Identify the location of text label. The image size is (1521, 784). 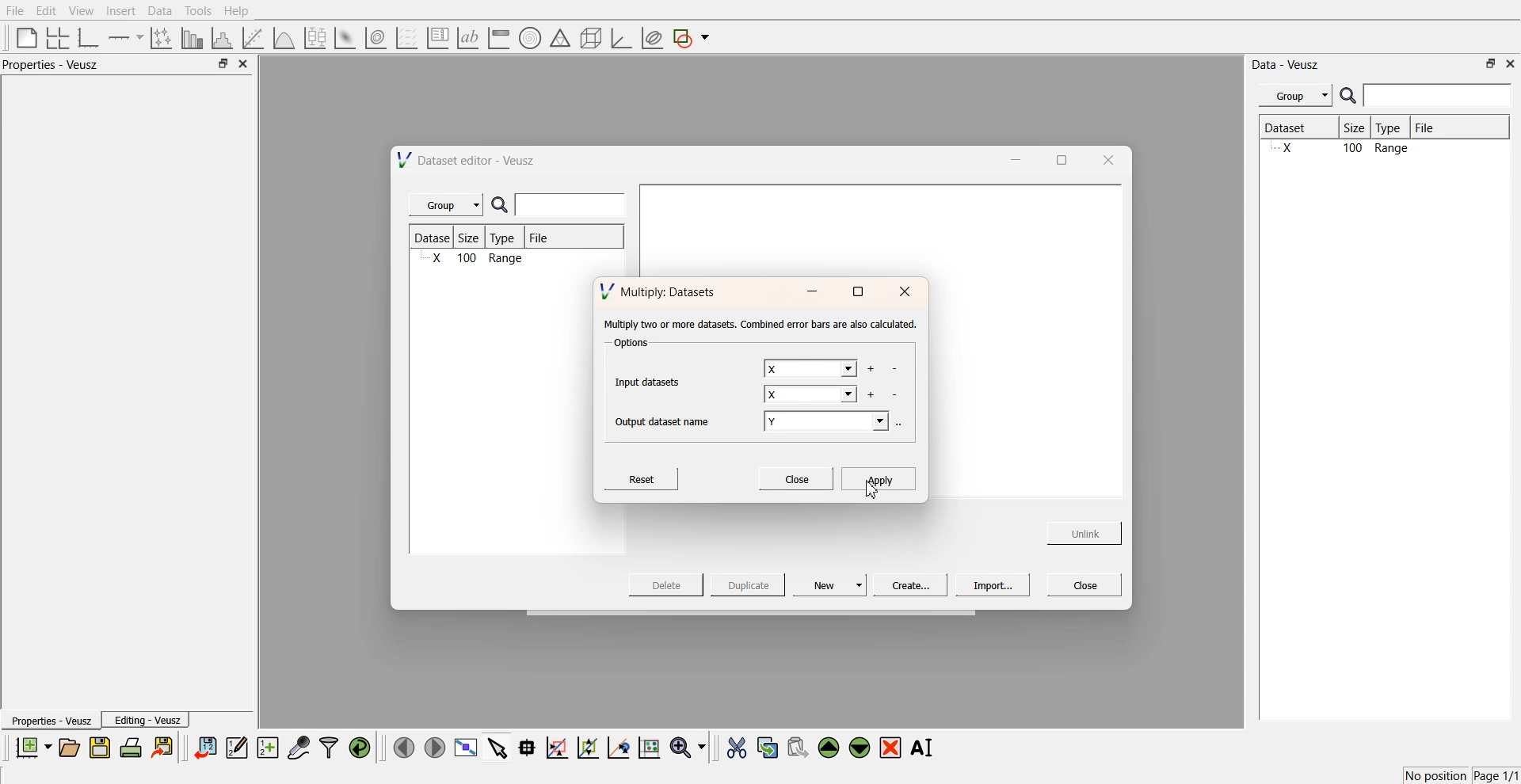
(466, 38).